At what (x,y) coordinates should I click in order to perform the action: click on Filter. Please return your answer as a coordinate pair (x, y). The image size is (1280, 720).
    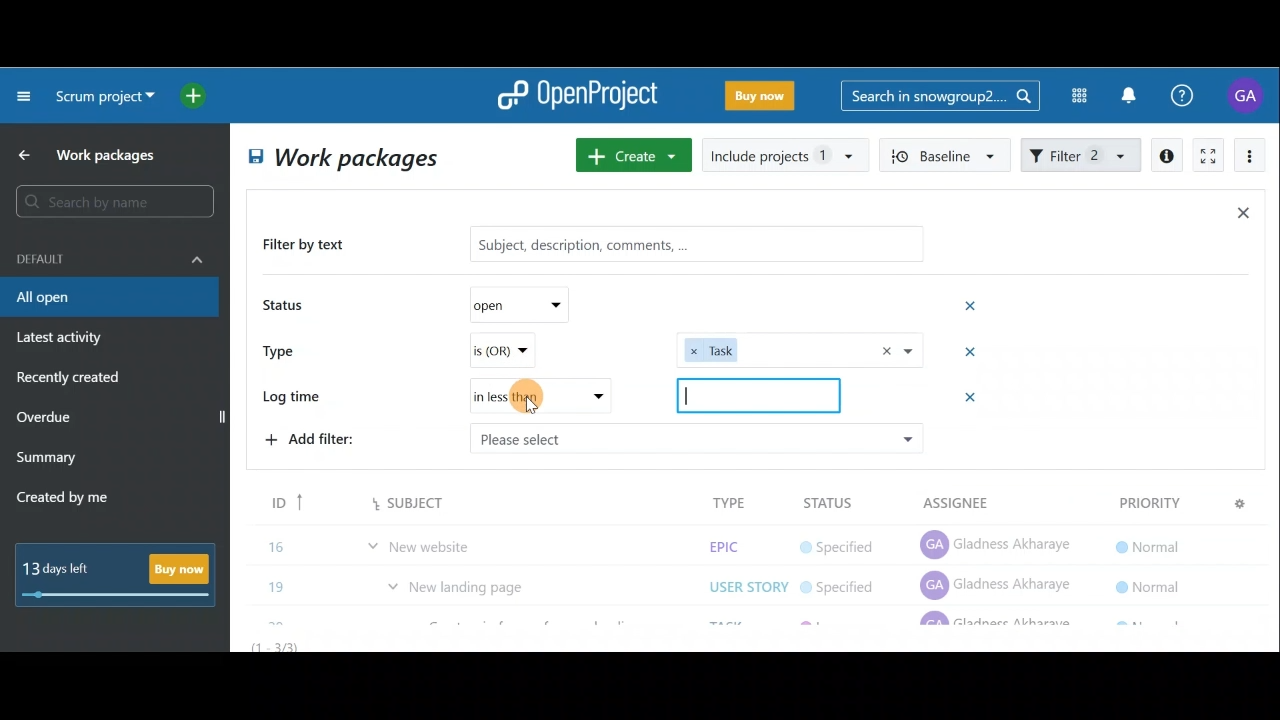
    Looking at the image, I should click on (1082, 153).